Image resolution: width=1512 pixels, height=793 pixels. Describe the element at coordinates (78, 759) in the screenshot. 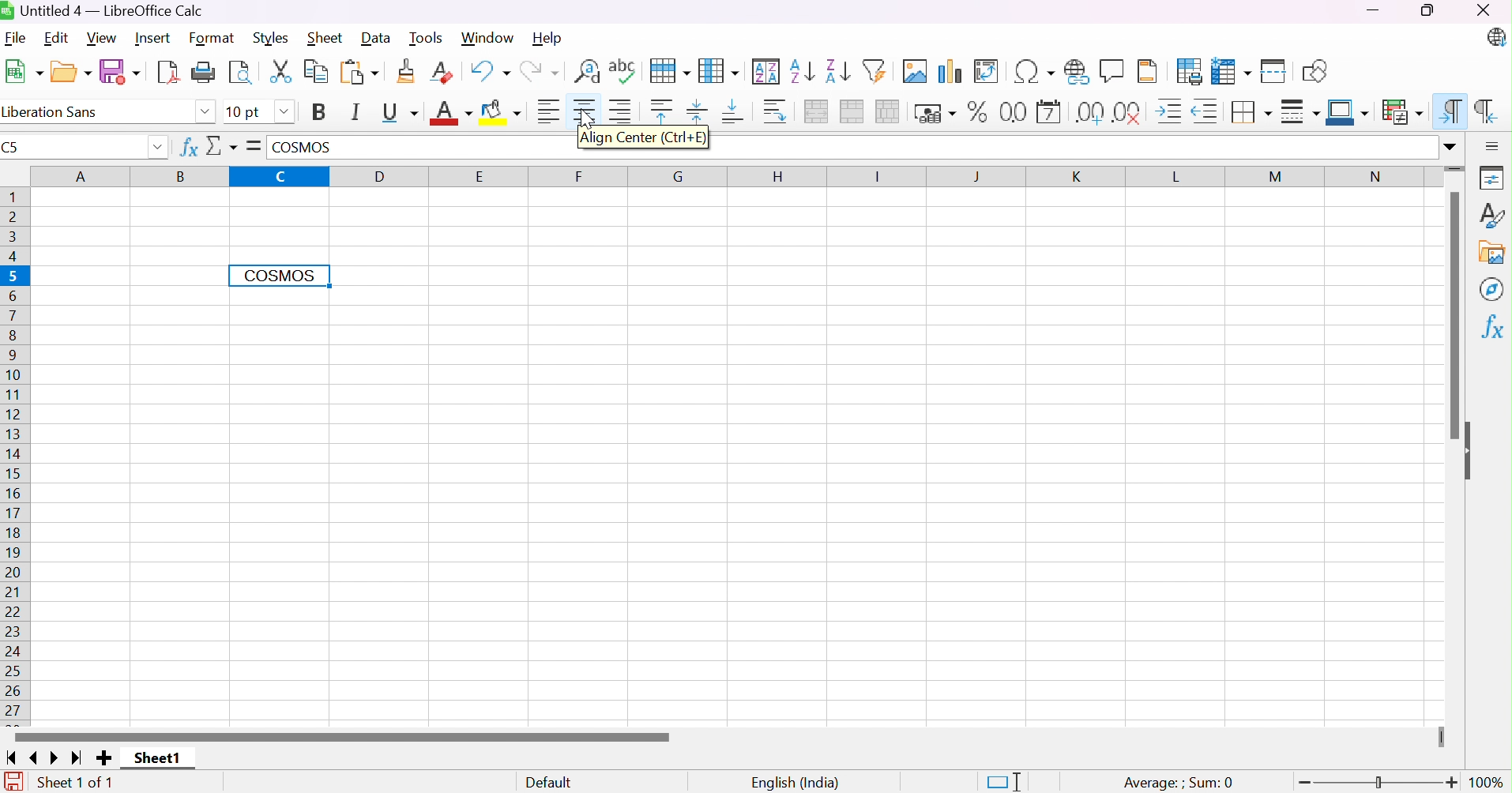

I see `Scroll To last sheet` at that location.